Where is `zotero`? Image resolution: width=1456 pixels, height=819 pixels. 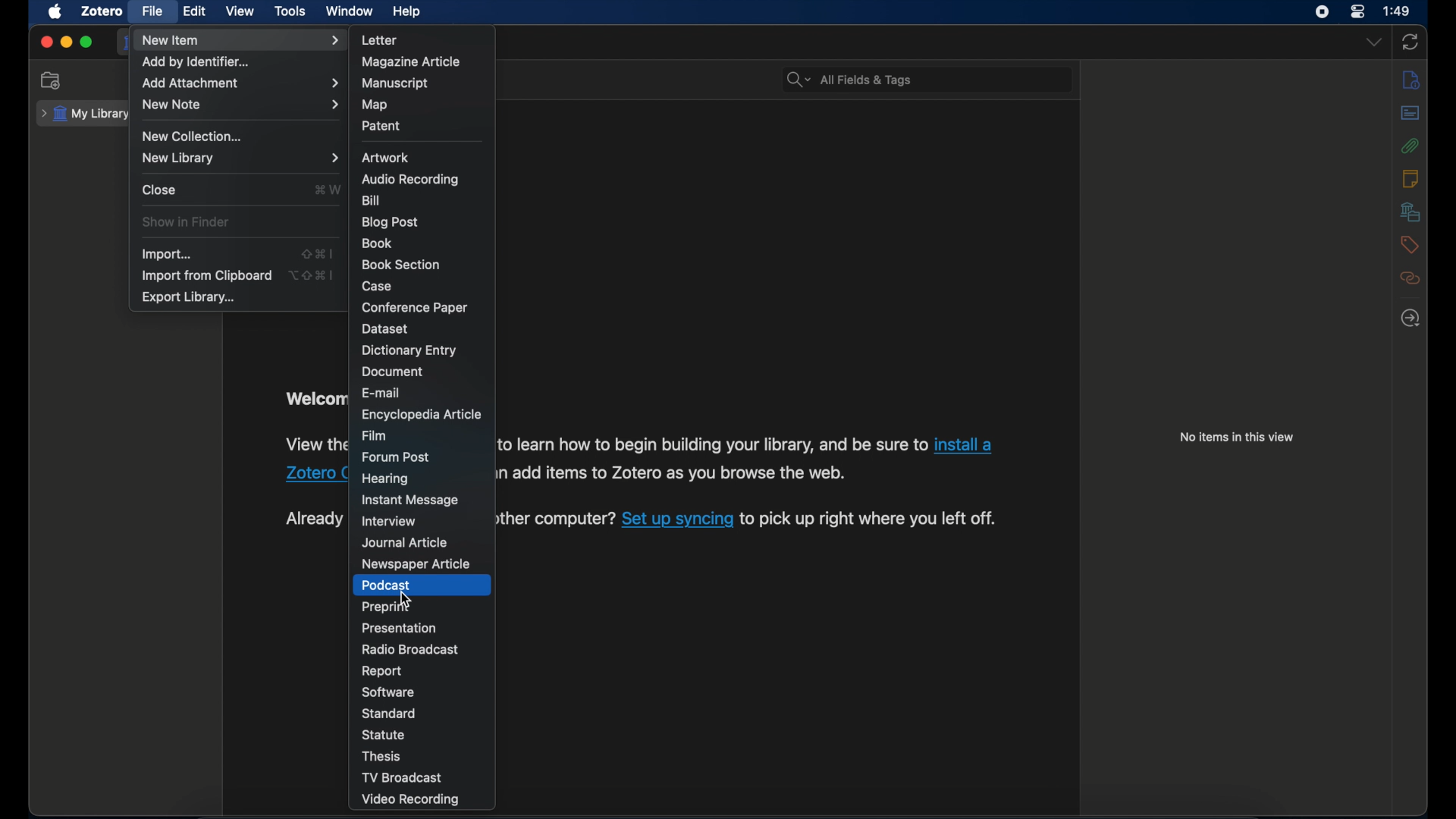
zotero is located at coordinates (101, 11).